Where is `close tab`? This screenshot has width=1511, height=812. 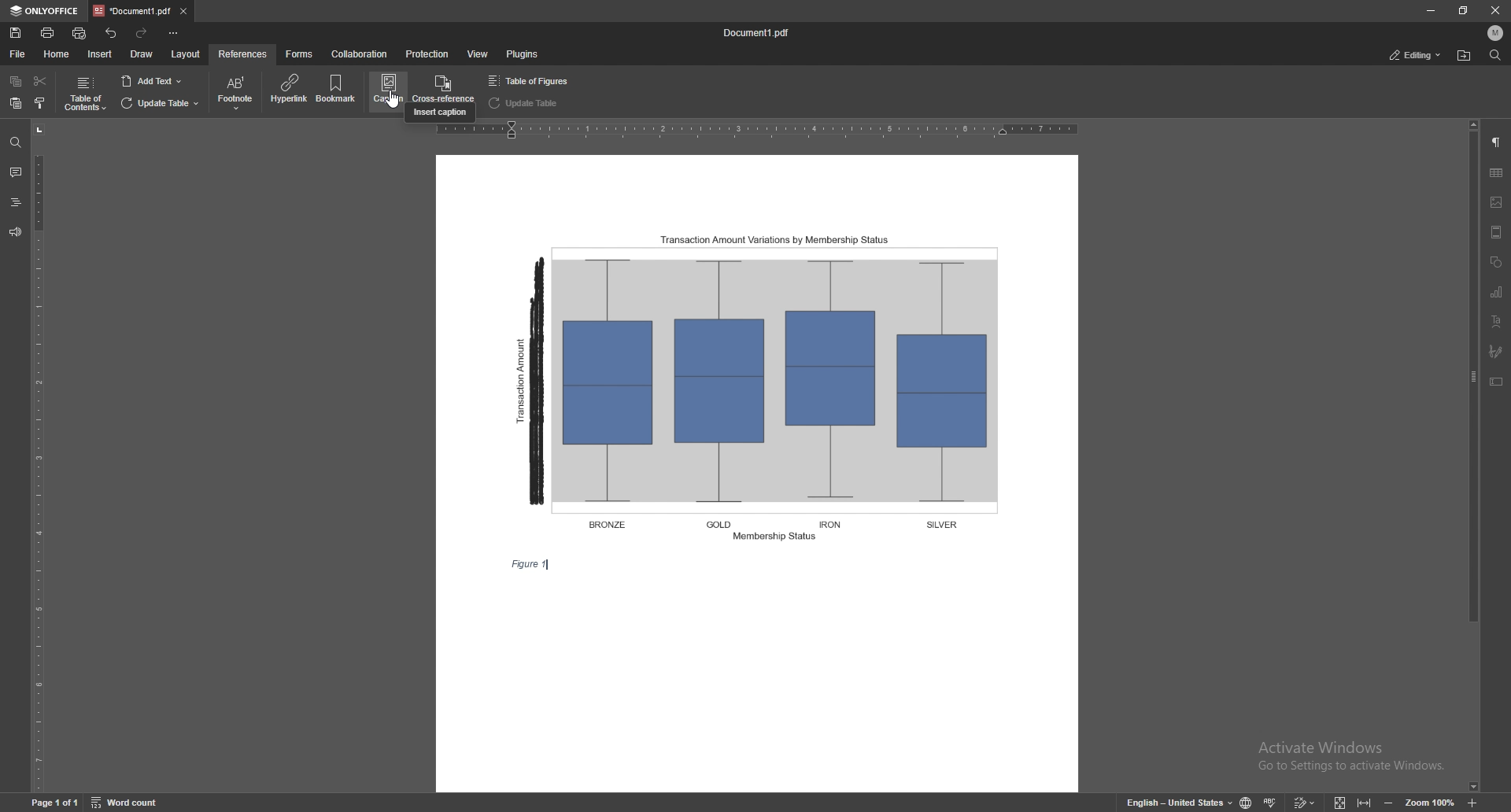 close tab is located at coordinates (183, 12).